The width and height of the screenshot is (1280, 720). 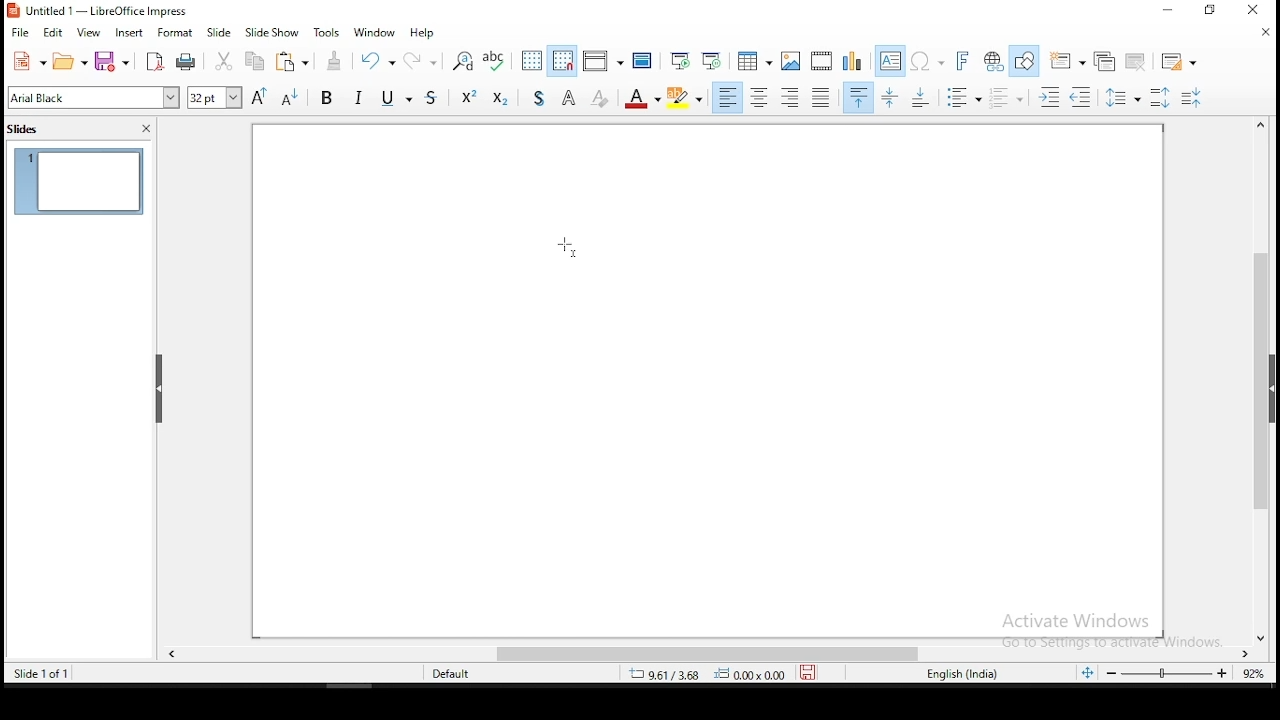 I want to click on insert, so click(x=128, y=34).